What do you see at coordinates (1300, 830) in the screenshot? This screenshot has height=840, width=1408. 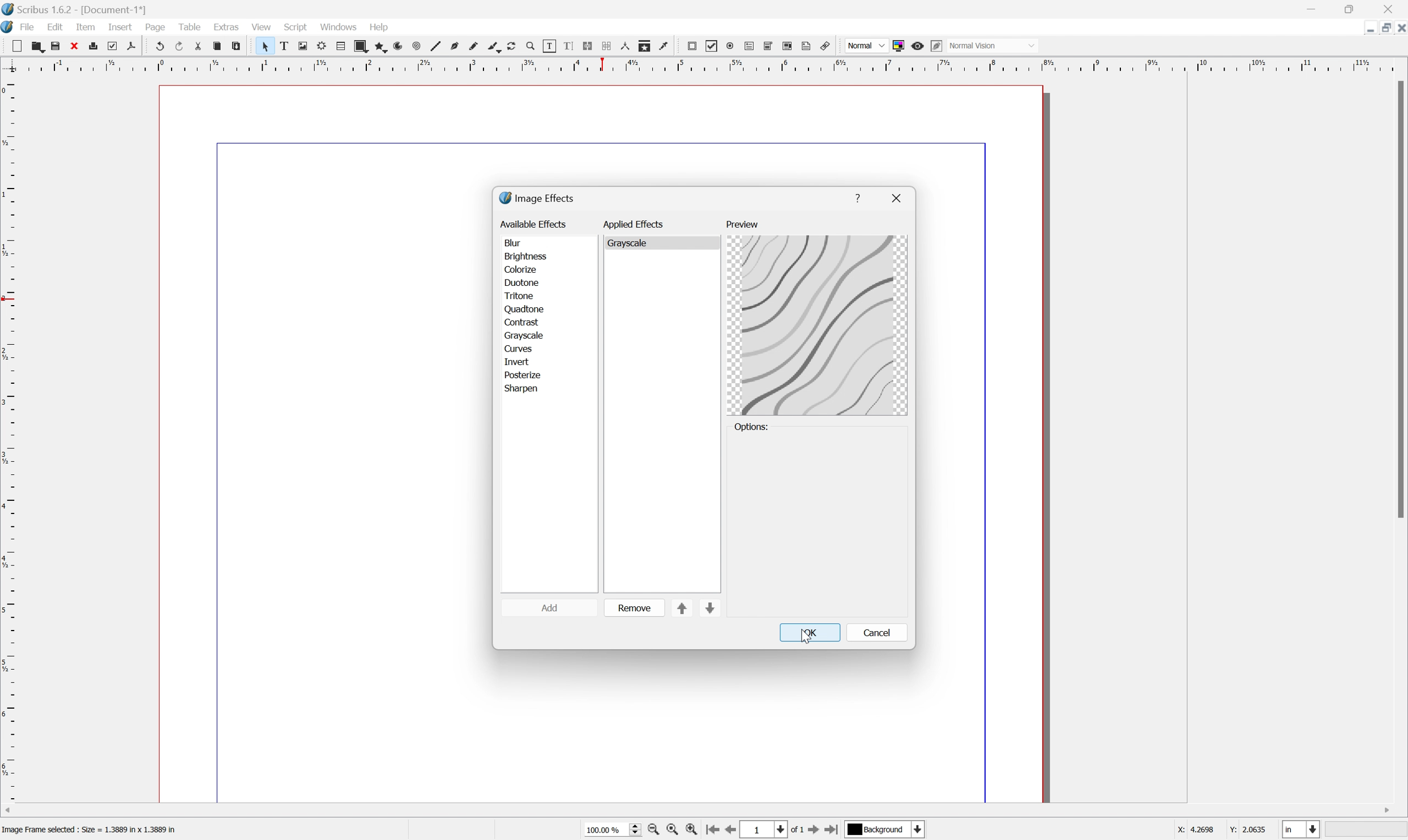 I see `Select the current unit` at bounding box center [1300, 830].